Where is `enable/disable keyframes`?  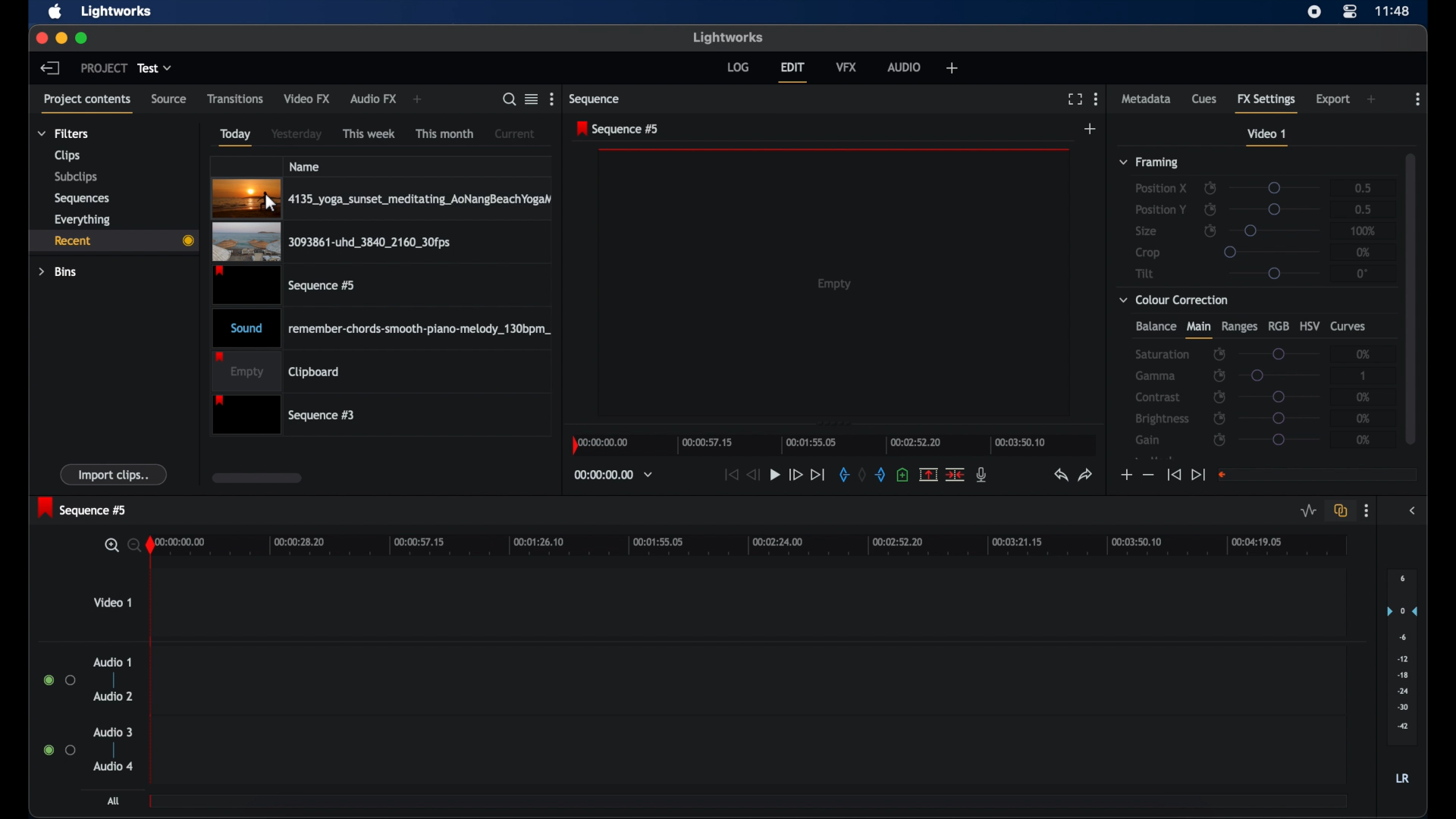 enable/disable keyframes is located at coordinates (1210, 188).